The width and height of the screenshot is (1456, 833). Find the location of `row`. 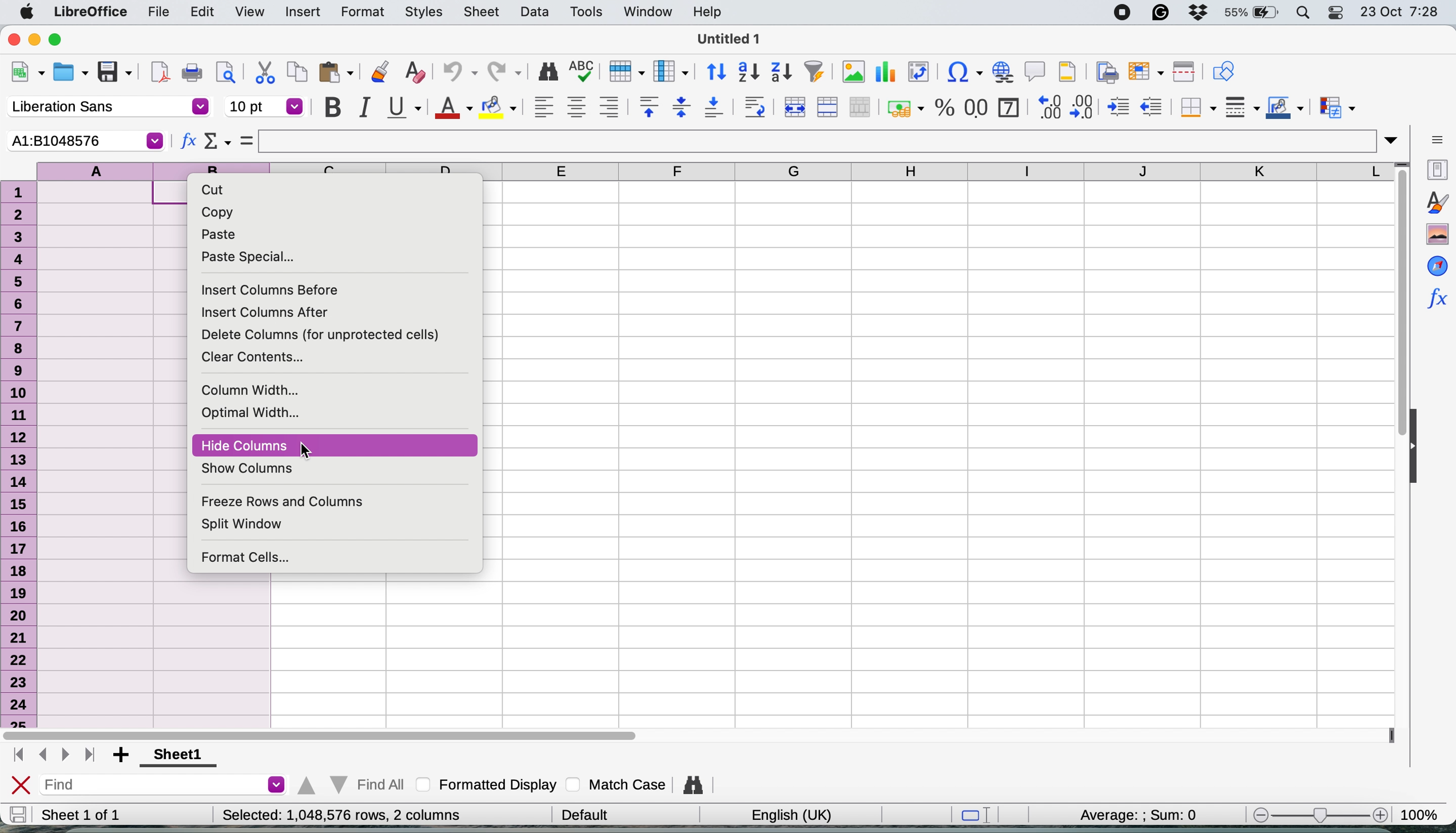

row is located at coordinates (627, 72).